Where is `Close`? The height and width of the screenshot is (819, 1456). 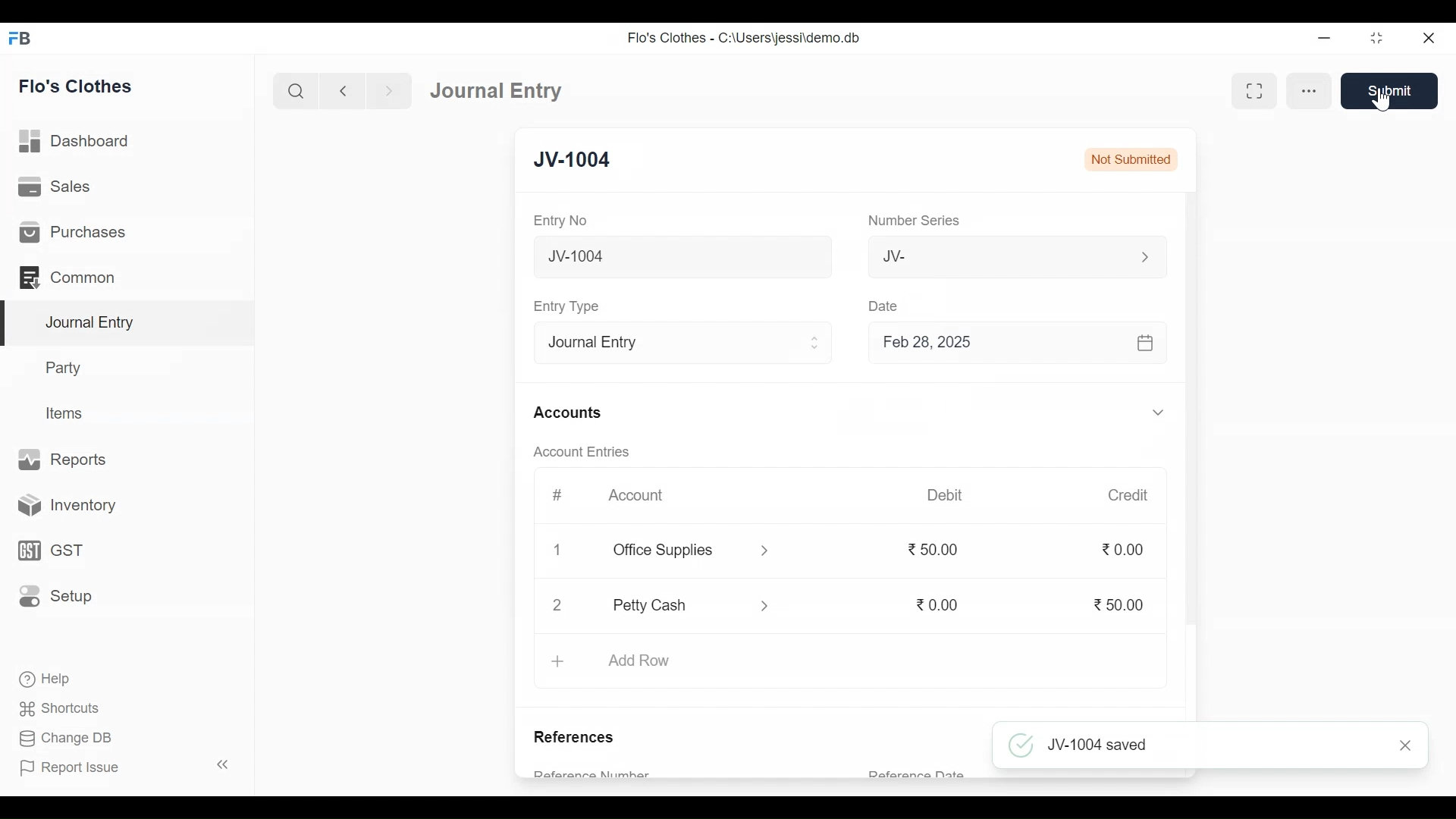 Close is located at coordinates (1429, 39).